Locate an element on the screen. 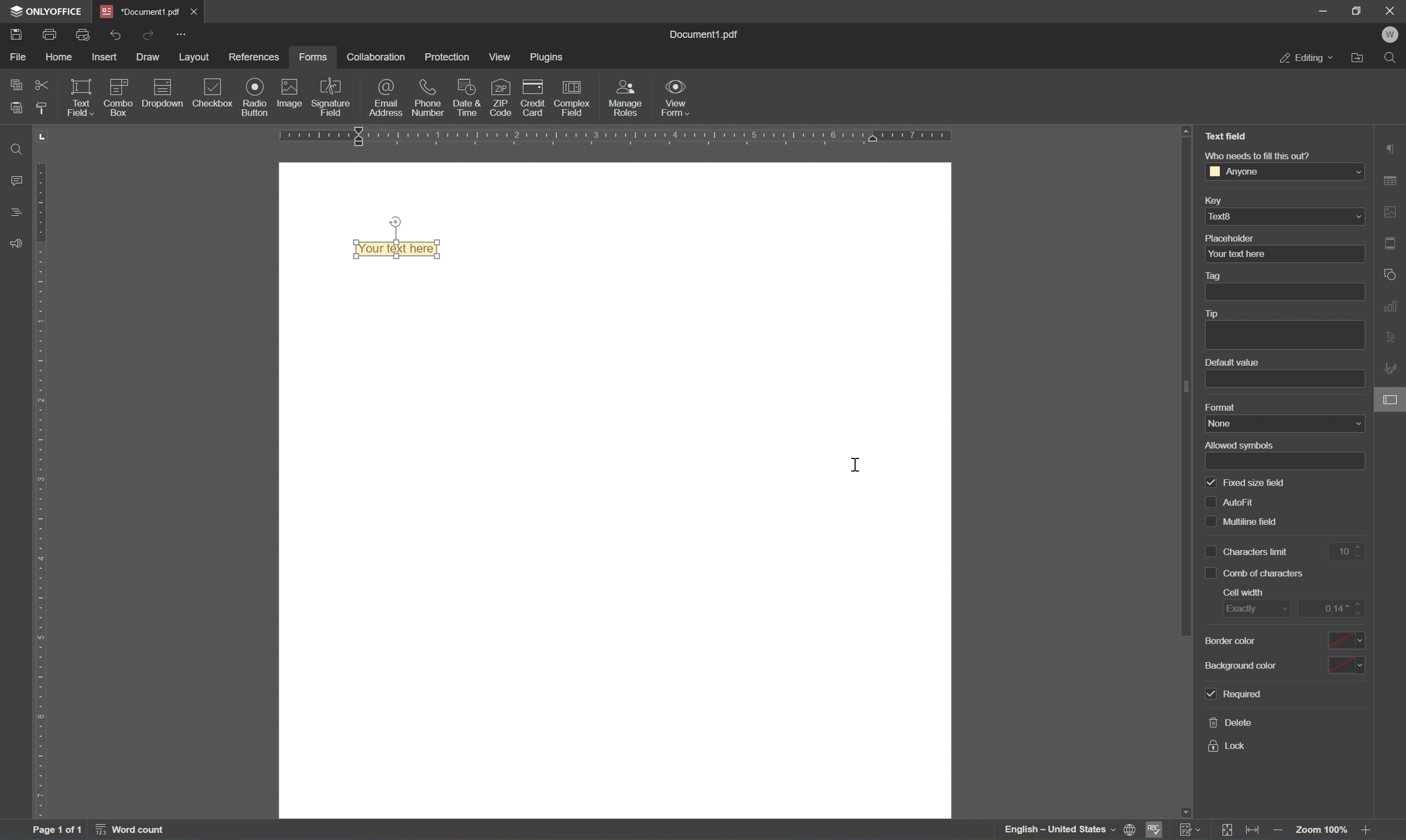 The image size is (1406, 840). doxument1.pdf is located at coordinates (139, 12).